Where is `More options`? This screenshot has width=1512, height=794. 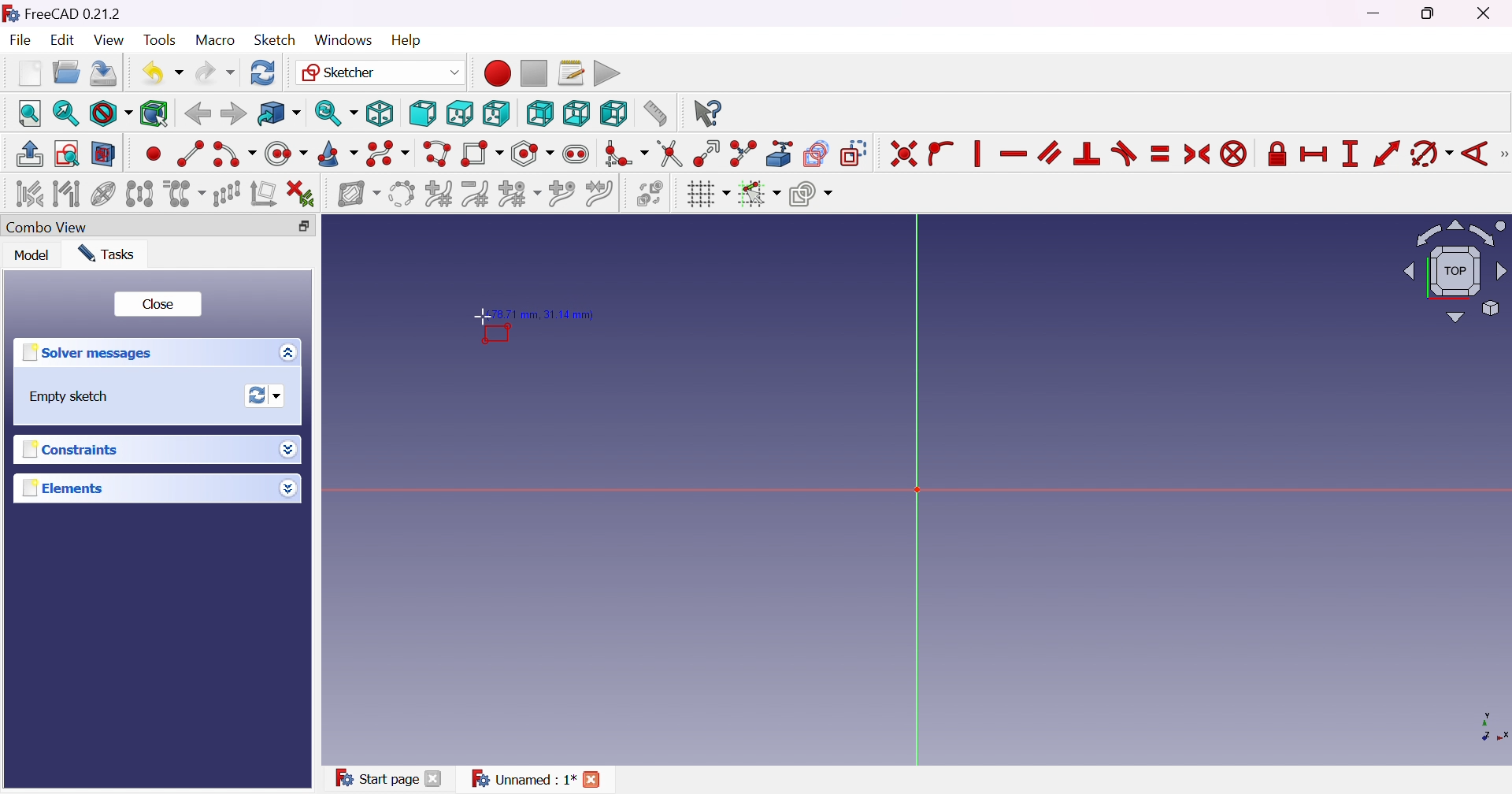 More options is located at coordinates (287, 488).